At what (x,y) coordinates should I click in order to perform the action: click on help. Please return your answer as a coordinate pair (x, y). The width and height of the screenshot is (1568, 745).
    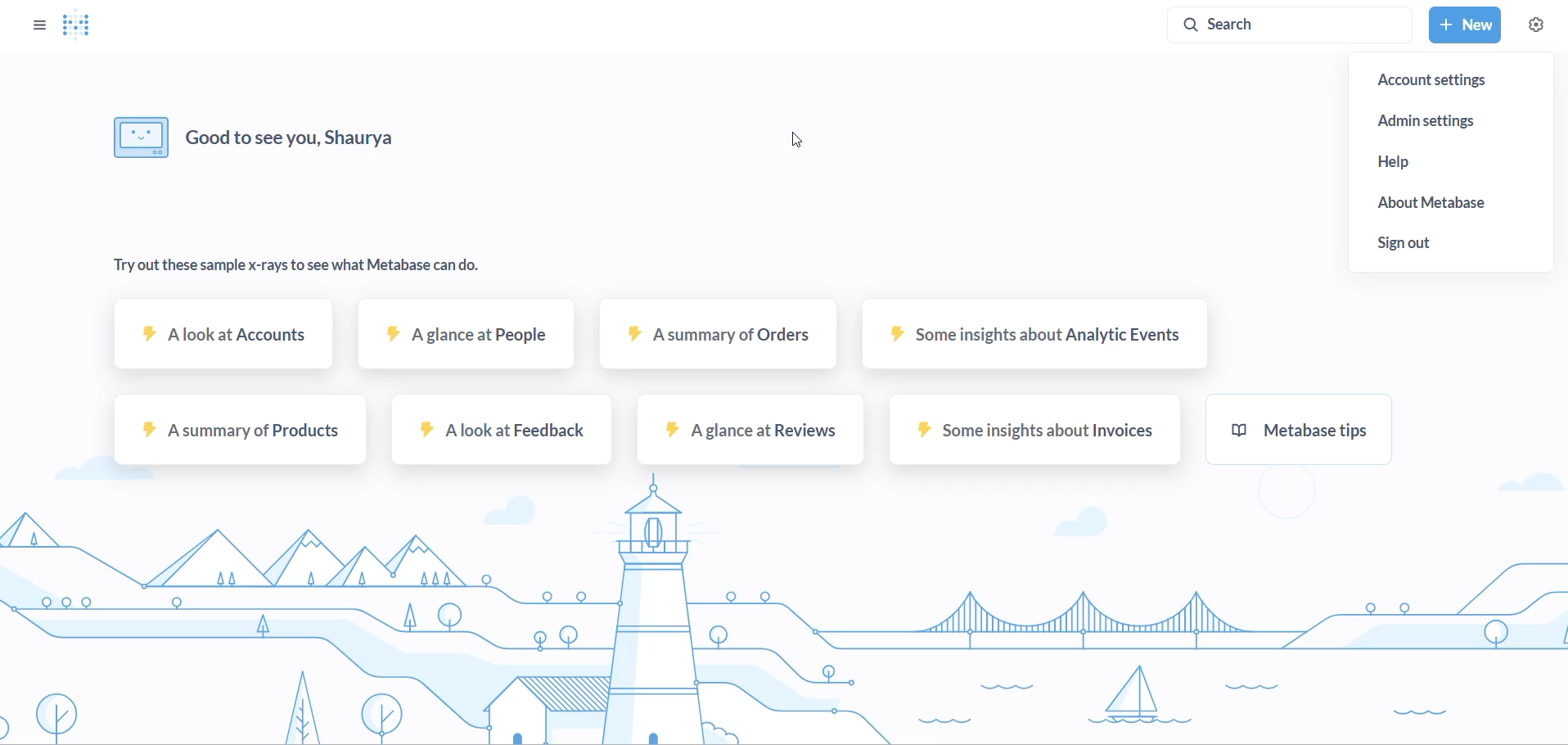
    Looking at the image, I should click on (1457, 165).